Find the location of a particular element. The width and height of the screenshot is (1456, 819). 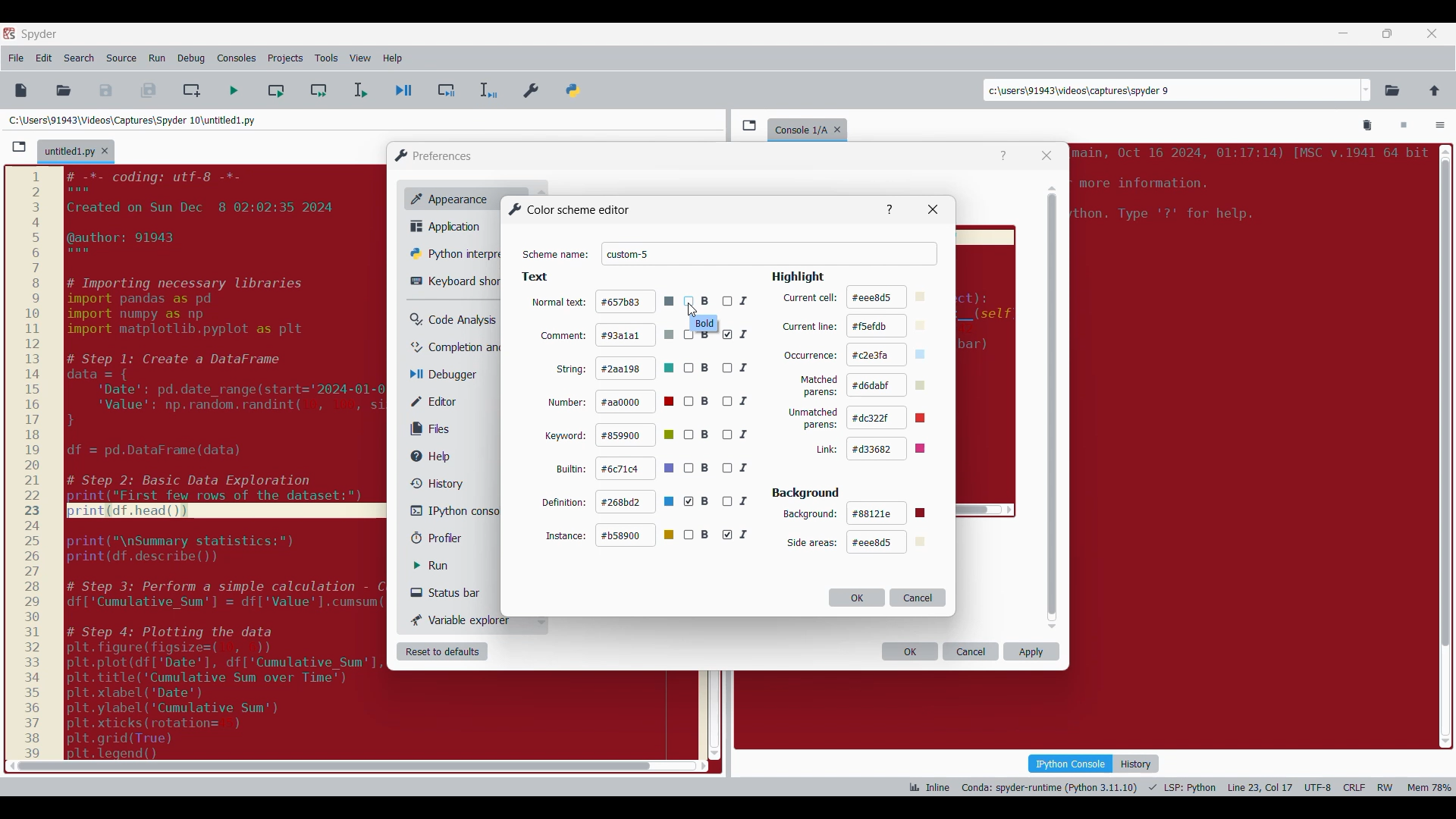

History is located at coordinates (434, 483).